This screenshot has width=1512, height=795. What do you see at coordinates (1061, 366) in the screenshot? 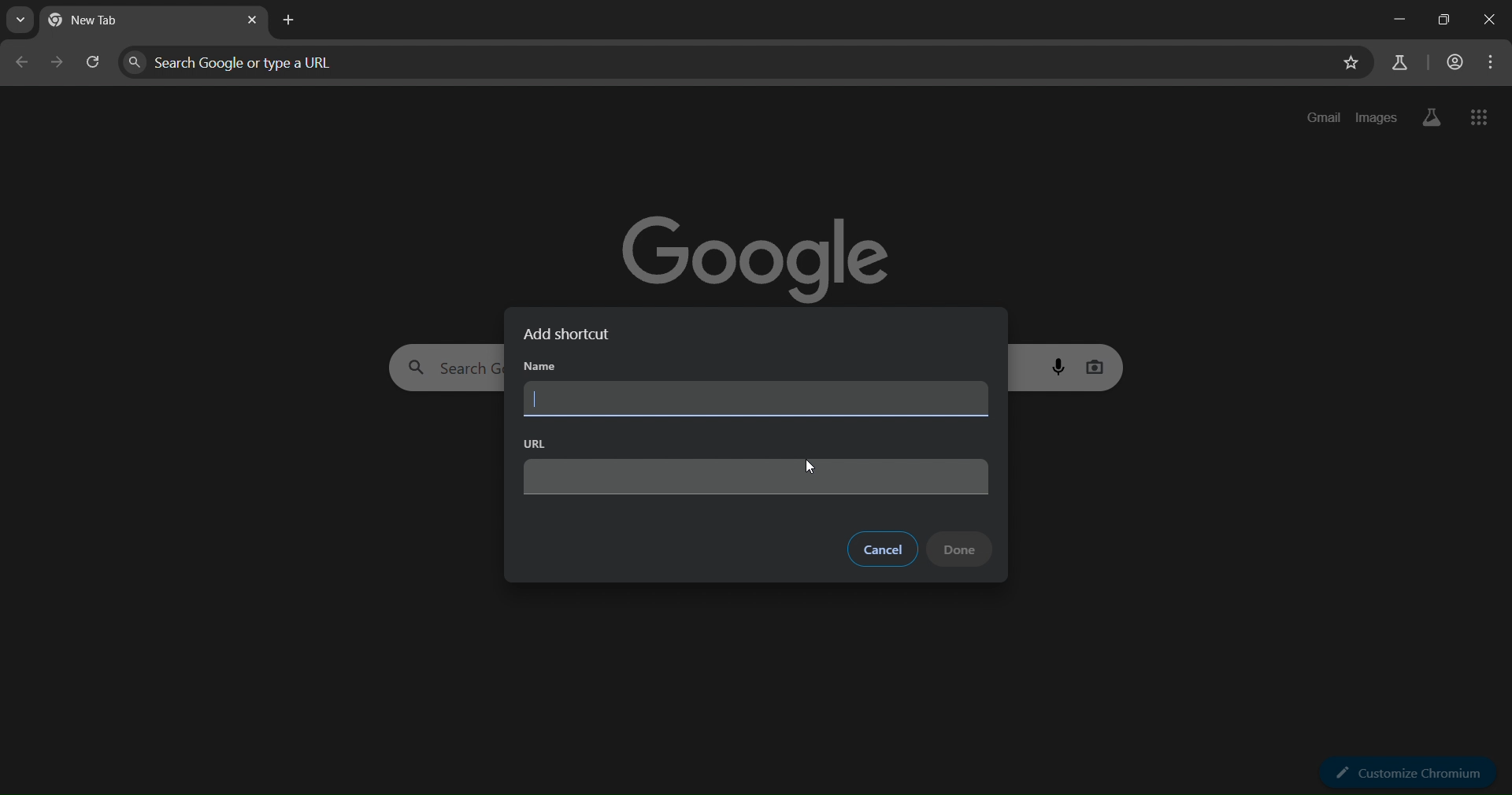
I see `voice search` at bounding box center [1061, 366].